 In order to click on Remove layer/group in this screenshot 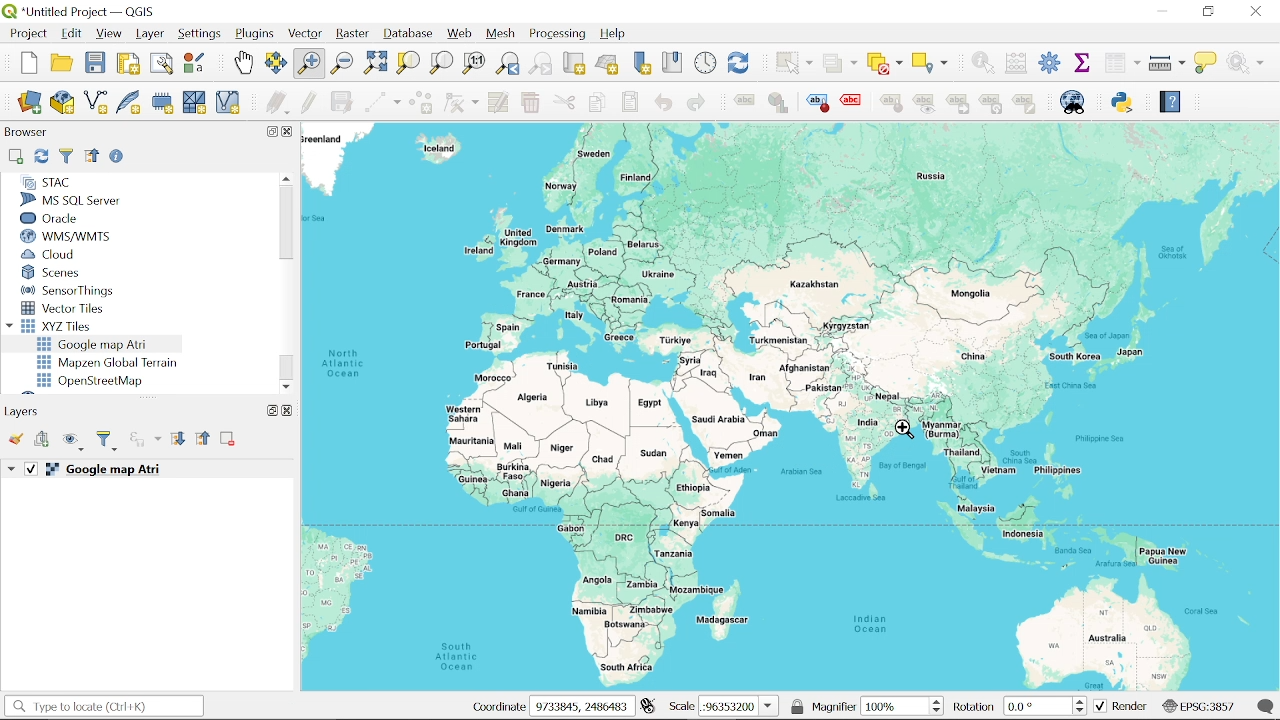, I will do `click(228, 440)`.